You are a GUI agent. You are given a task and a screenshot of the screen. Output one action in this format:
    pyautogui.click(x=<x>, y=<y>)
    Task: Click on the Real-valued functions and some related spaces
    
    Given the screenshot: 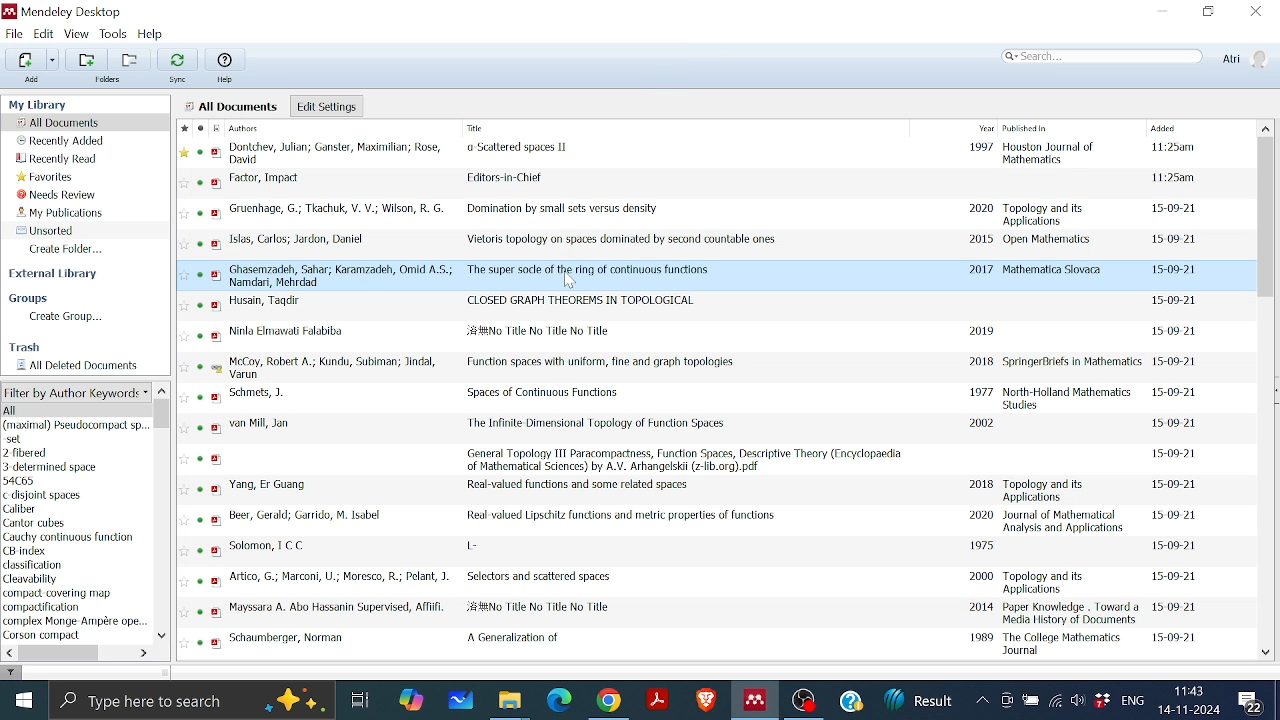 What is the action you would take?
    pyautogui.click(x=707, y=491)
    